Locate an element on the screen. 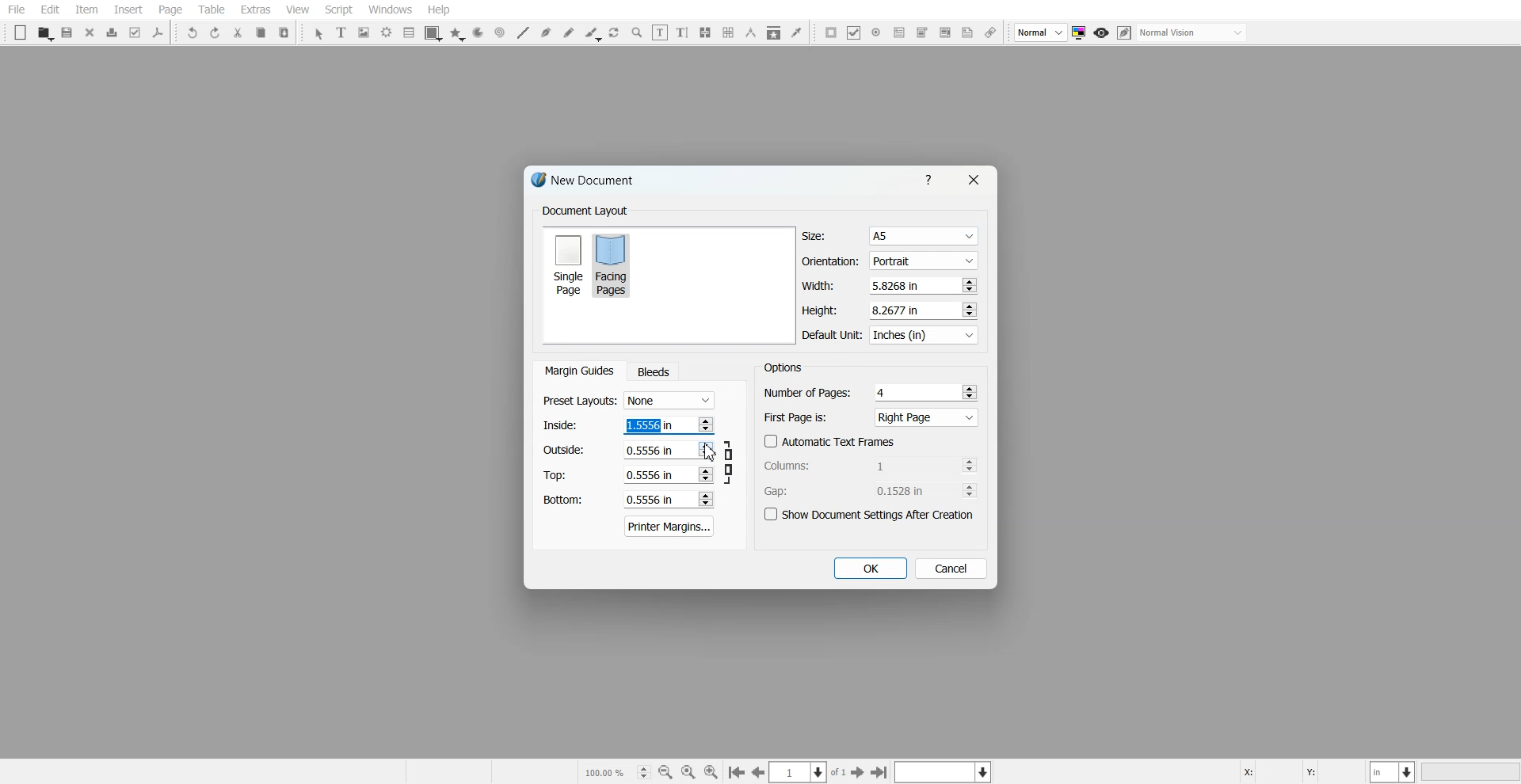 The width and height of the screenshot is (1521, 784). 1 is located at coordinates (904, 465).